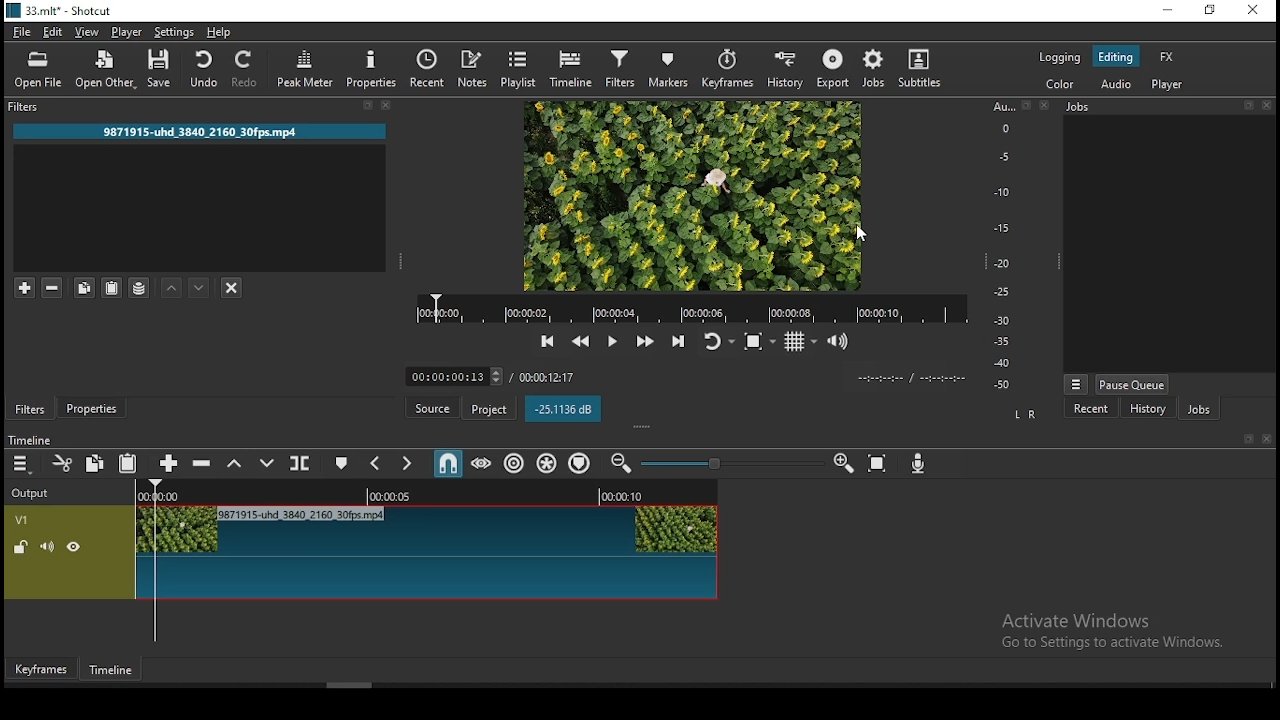  I want to click on Cursor Position AFTER_LAST_ACTION, so click(864, 232).